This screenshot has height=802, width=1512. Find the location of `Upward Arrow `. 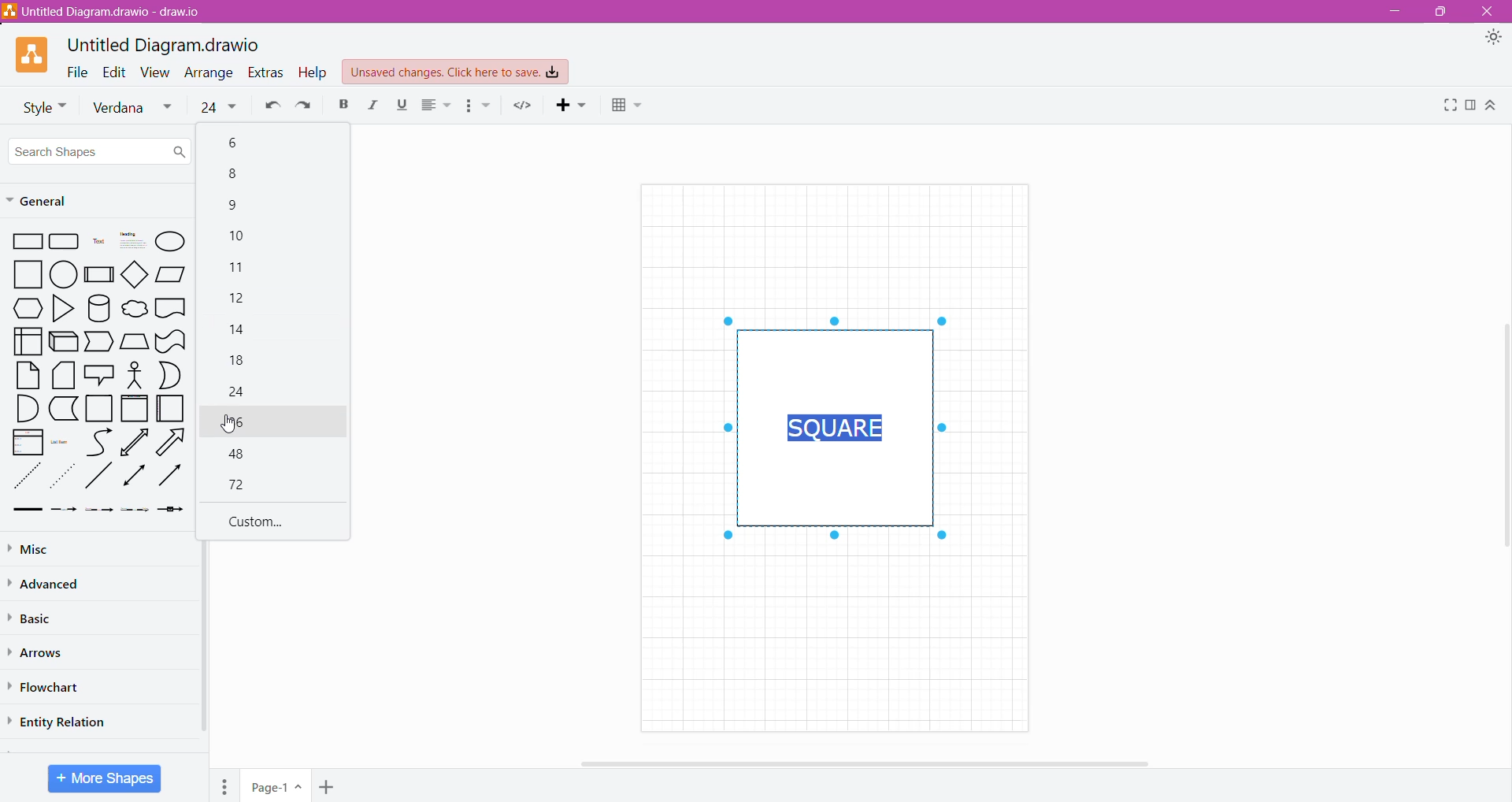

Upward Arrow  is located at coordinates (135, 443).